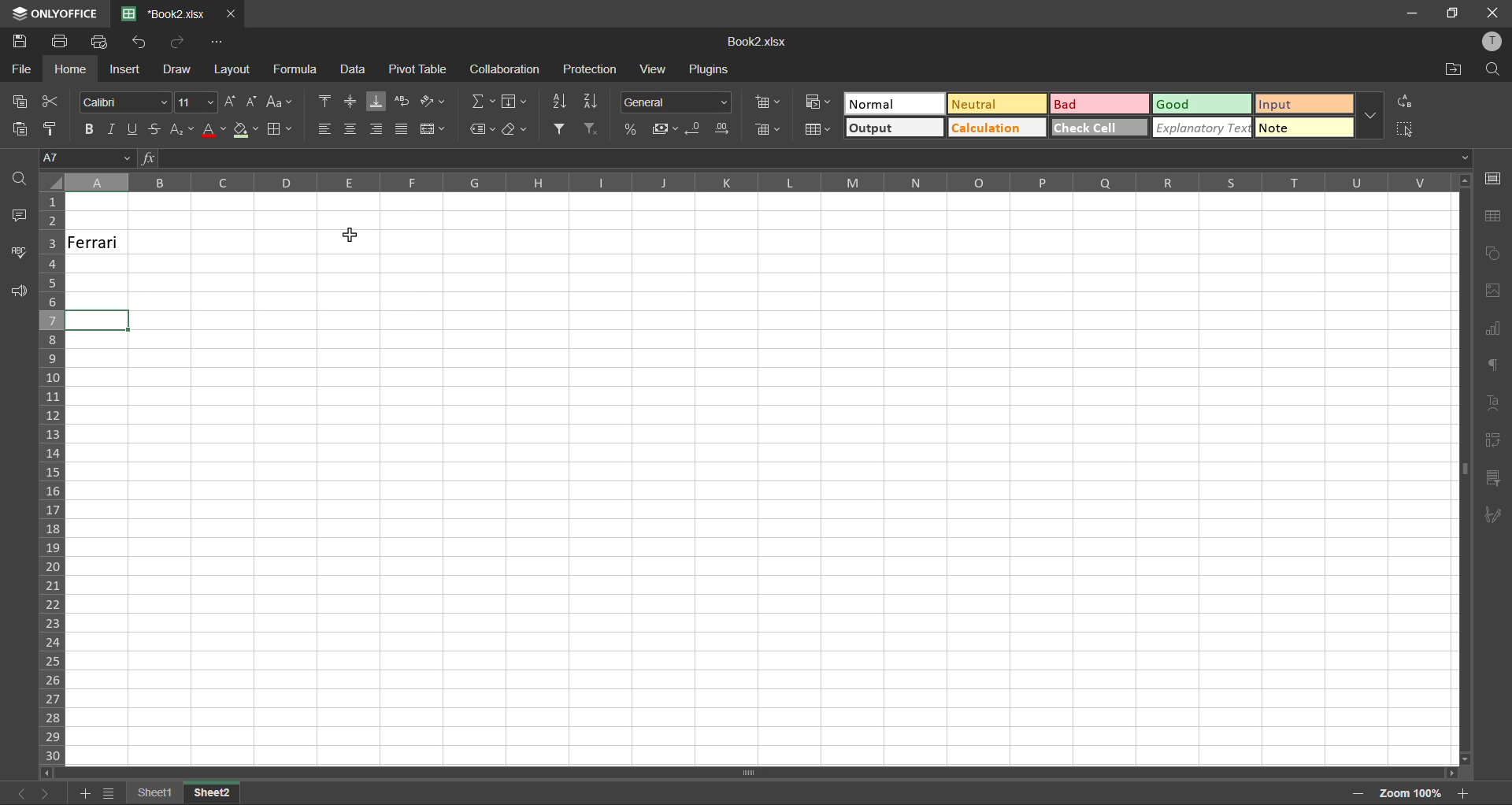 This screenshot has height=805, width=1512. Describe the element at coordinates (348, 237) in the screenshot. I see `Cursor` at that location.